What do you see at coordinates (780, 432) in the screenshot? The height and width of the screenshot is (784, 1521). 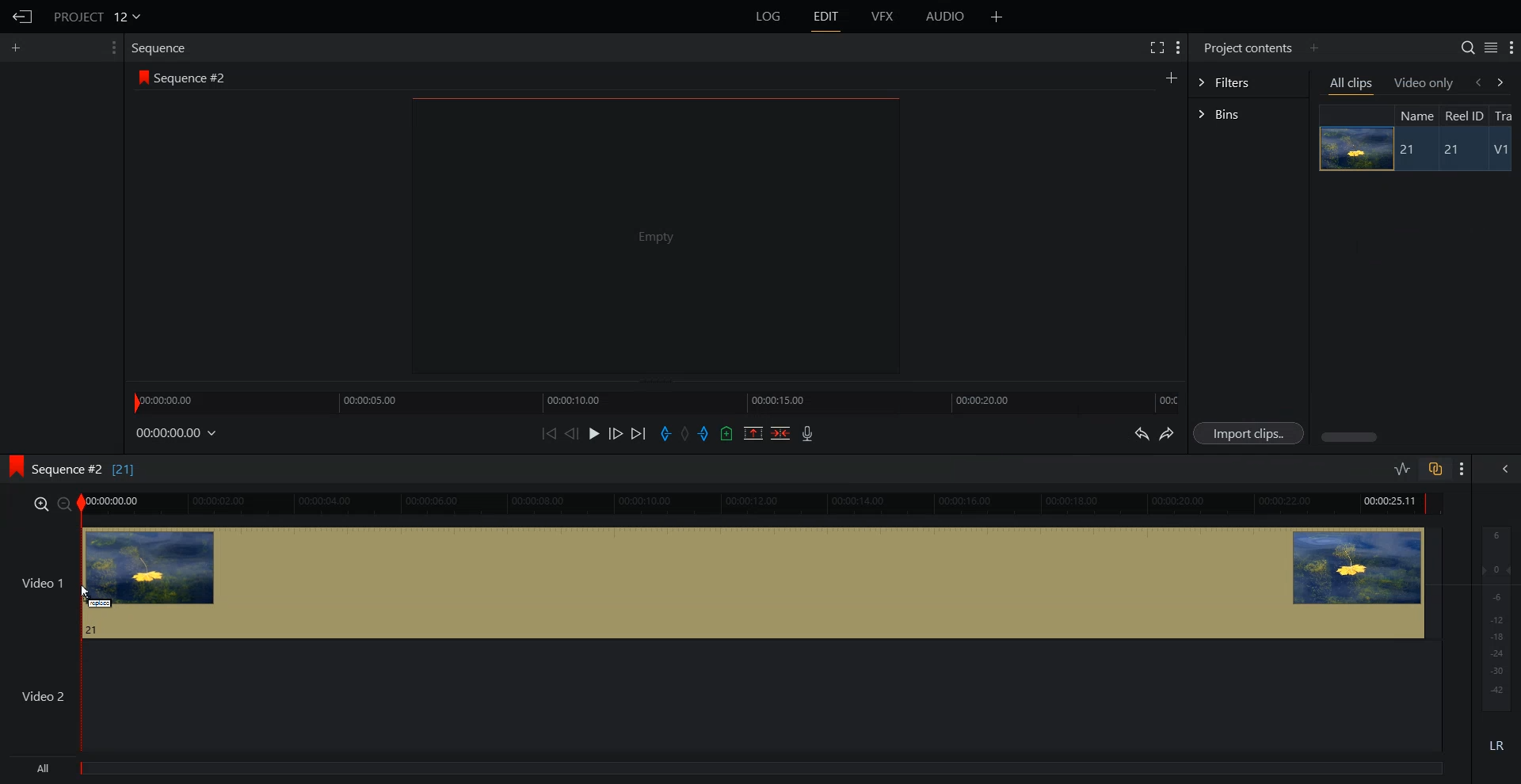 I see `Delete` at bounding box center [780, 432].